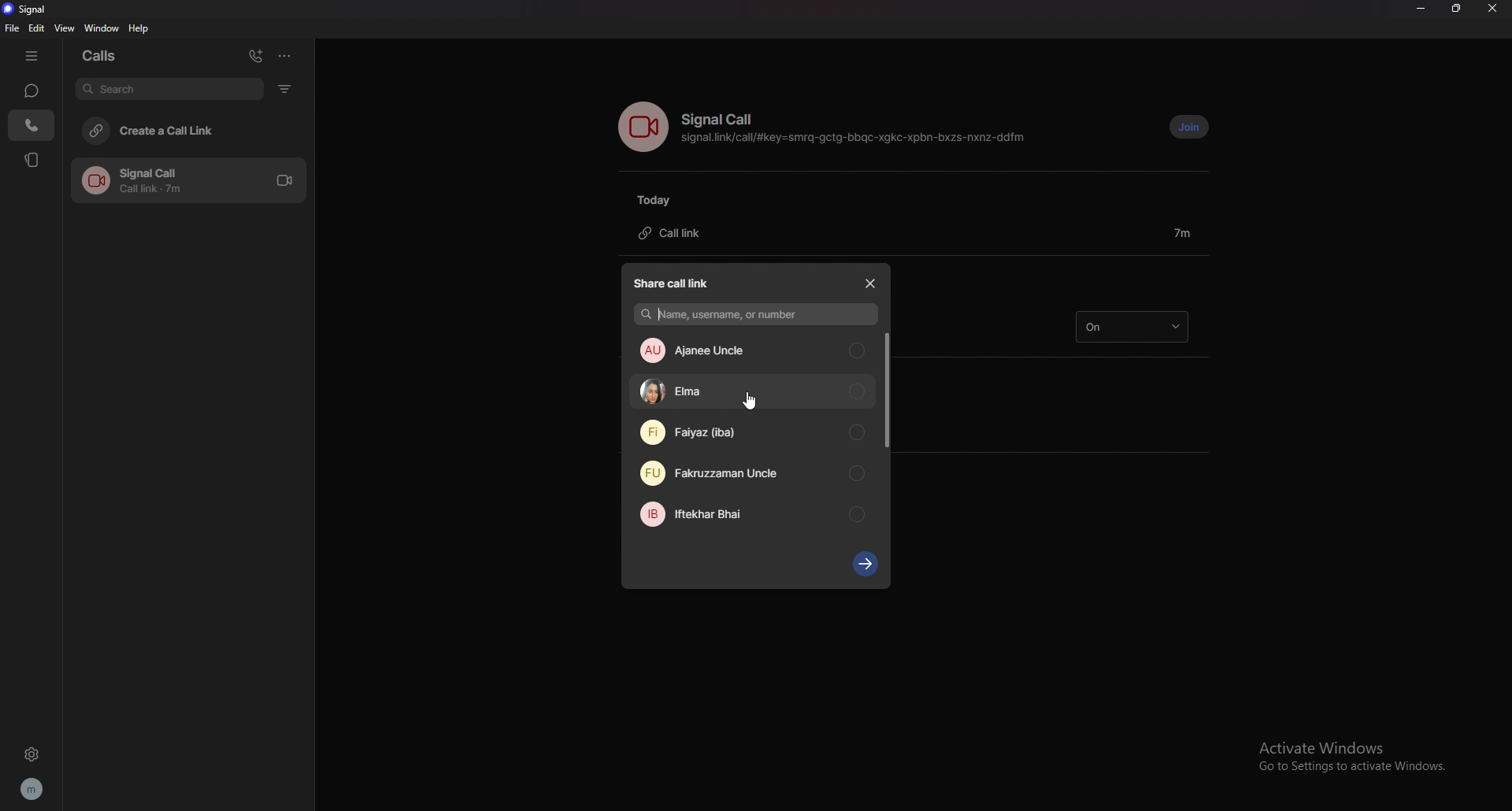 The height and width of the screenshot is (811, 1512). Describe the element at coordinates (1458, 8) in the screenshot. I see `resize` at that location.